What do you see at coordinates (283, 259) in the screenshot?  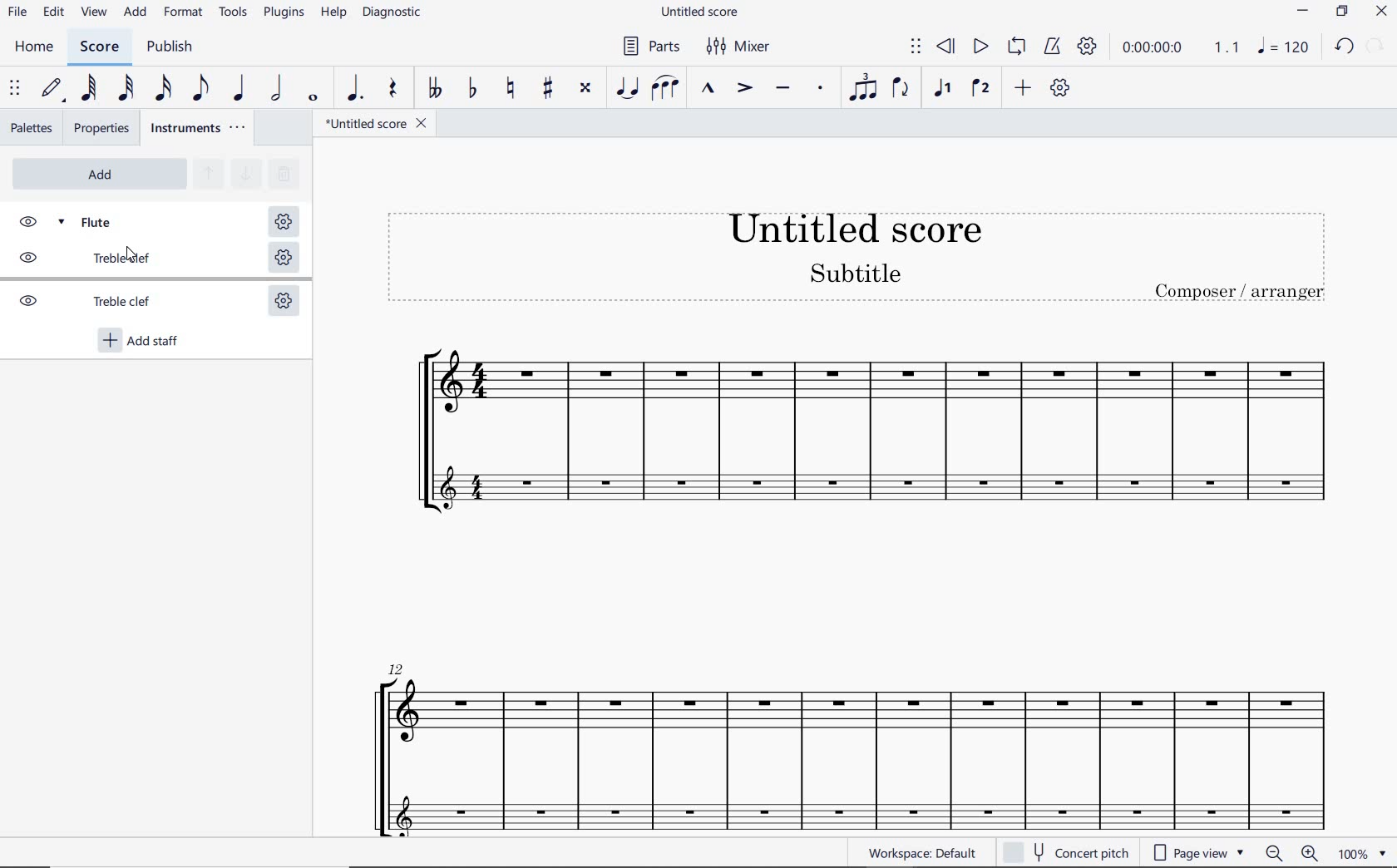 I see `STAFF SETTING` at bounding box center [283, 259].